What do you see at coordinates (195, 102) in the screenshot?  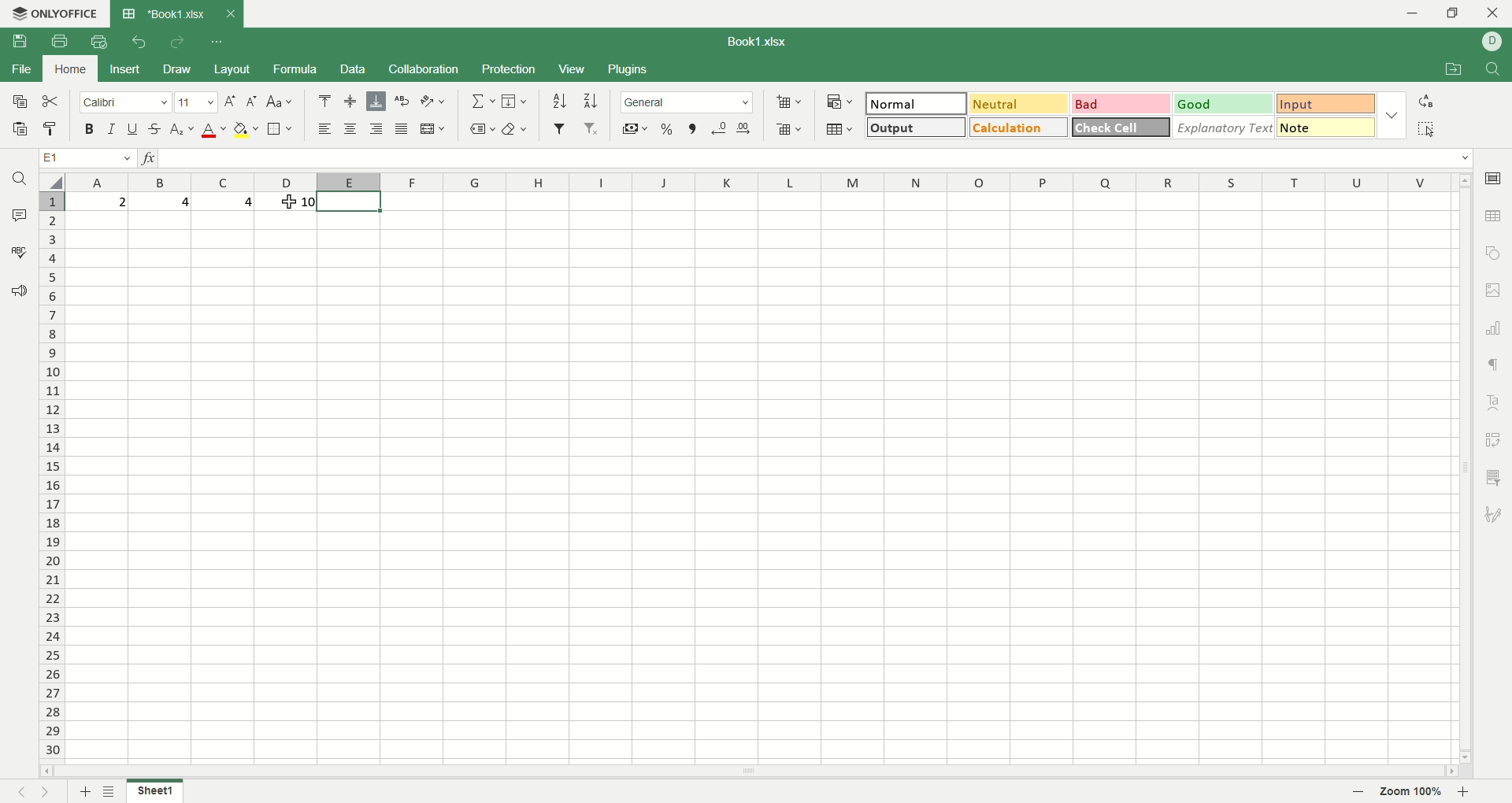 I see `font size` at bounding box center [195, 102].